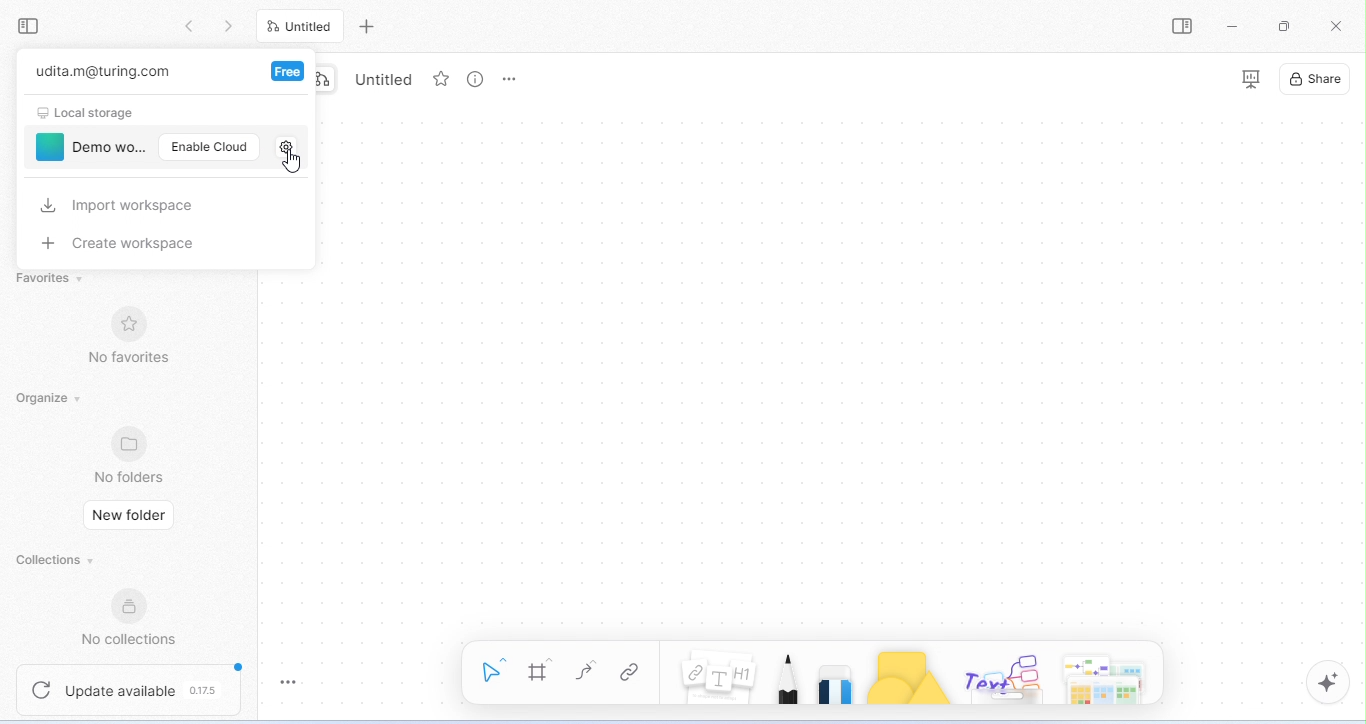 This screenshot has height=724, width=1366. I want to click on new collections, so click(137, 618).